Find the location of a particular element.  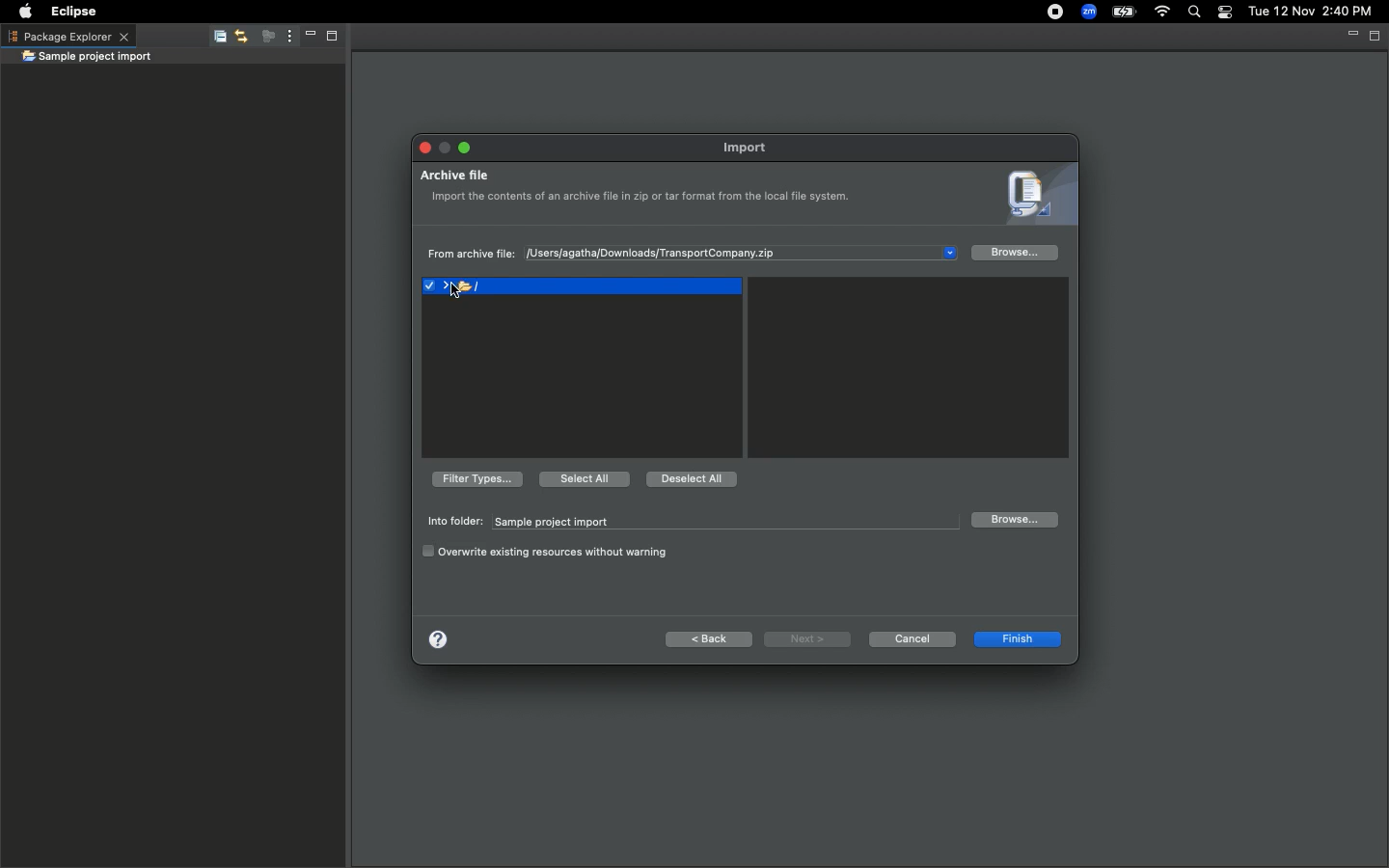

Minimize is located at coordinates (445, 144).